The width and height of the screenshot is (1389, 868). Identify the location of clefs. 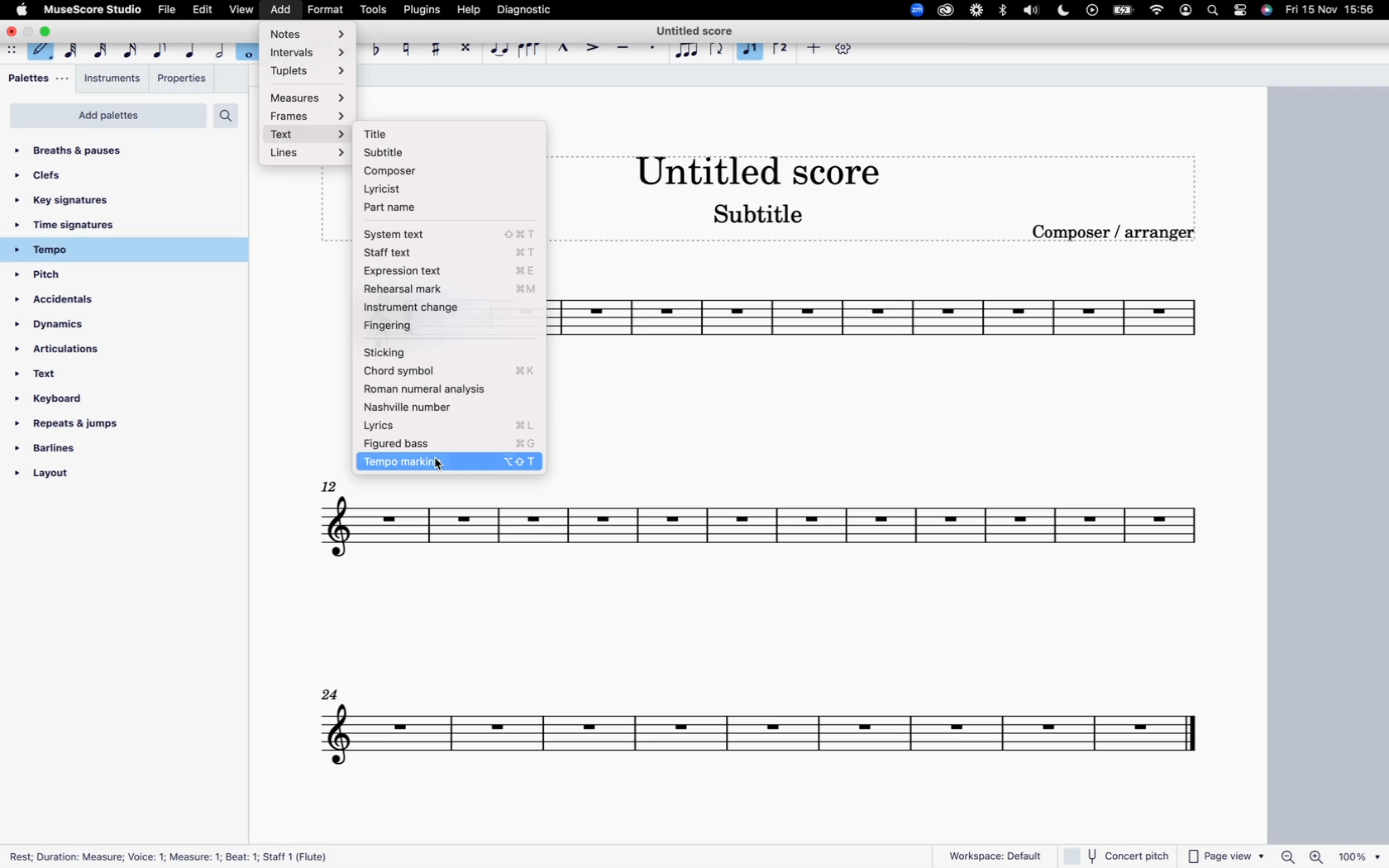
(112, 179).